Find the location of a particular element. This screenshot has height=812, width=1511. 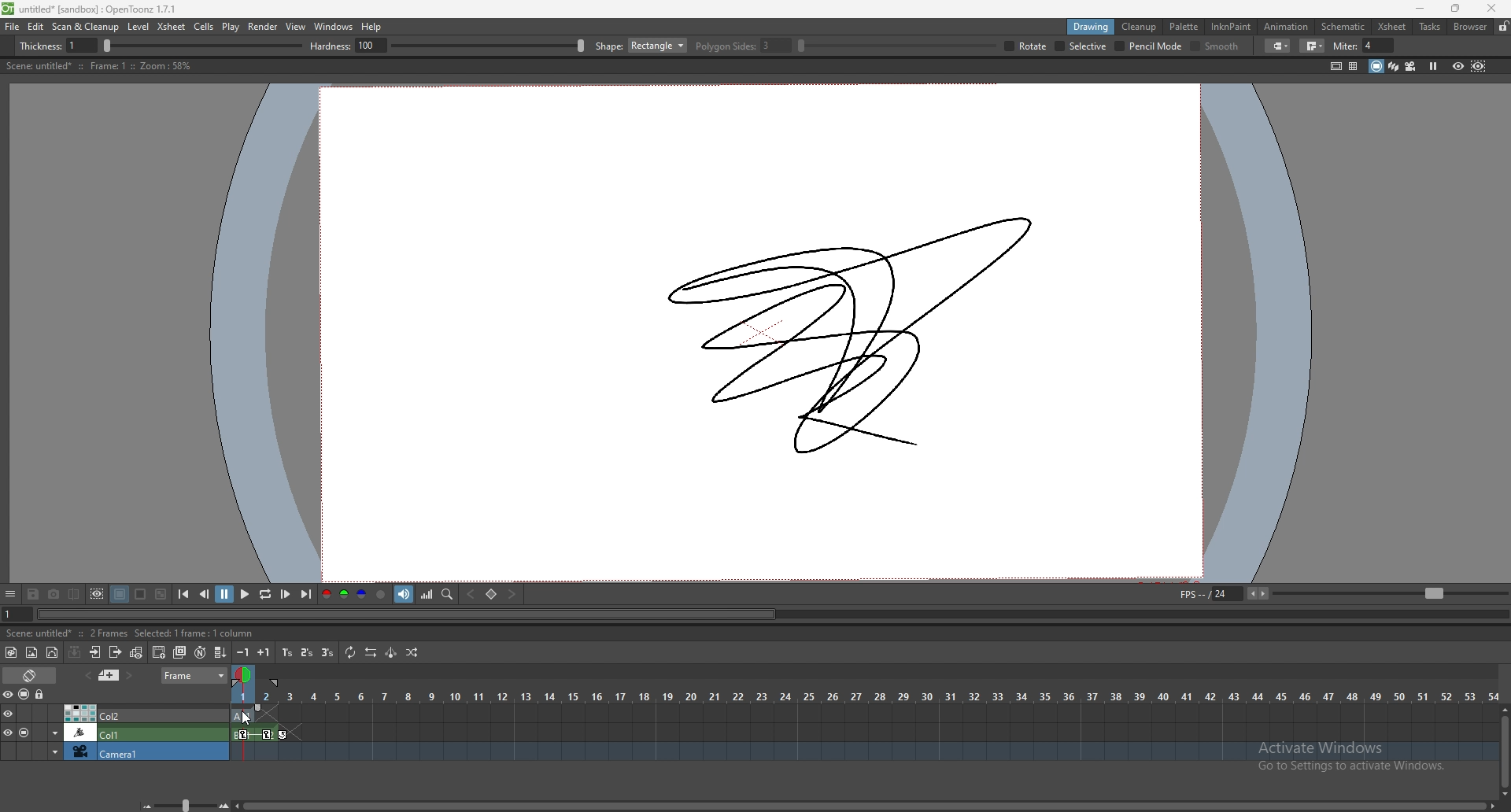

sub camera preview is located at coordinates (1479, 65).